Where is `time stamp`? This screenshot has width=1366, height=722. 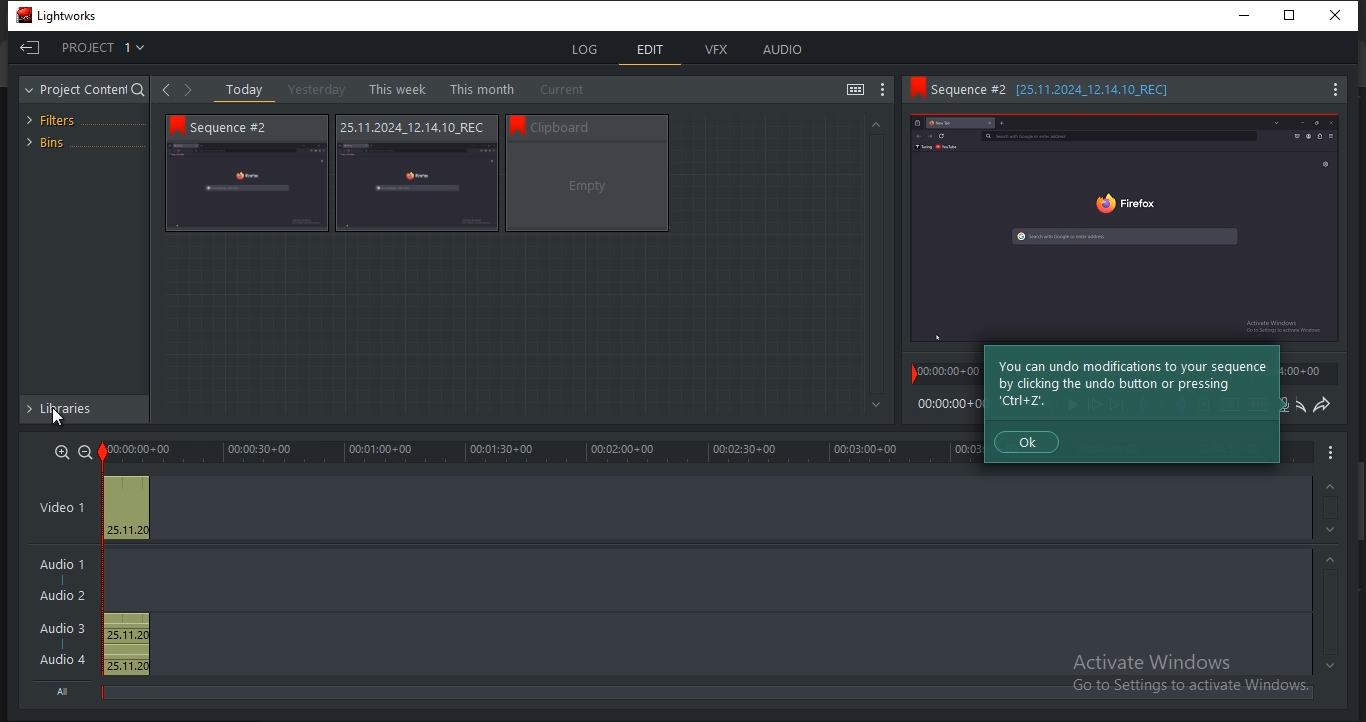 time stamp is located at coordinates (951, 374).